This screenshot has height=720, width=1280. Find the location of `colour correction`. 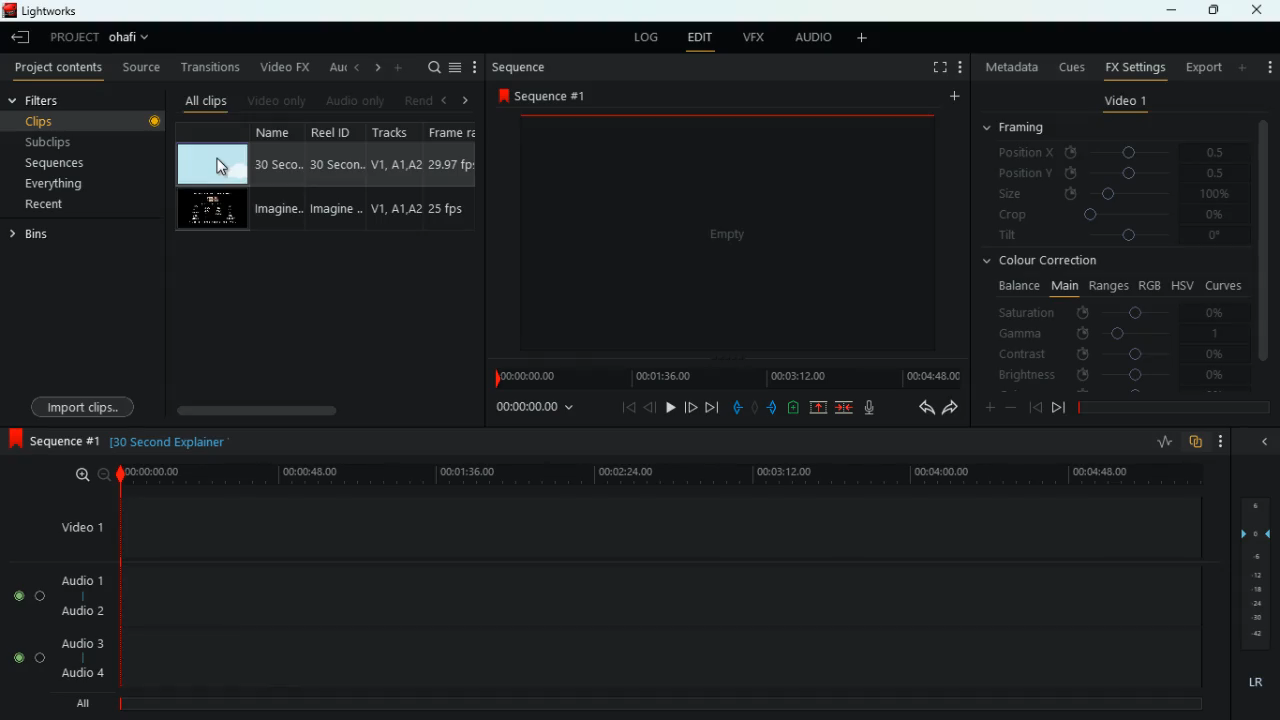

colour correction is located at coordinates (1053, 262).